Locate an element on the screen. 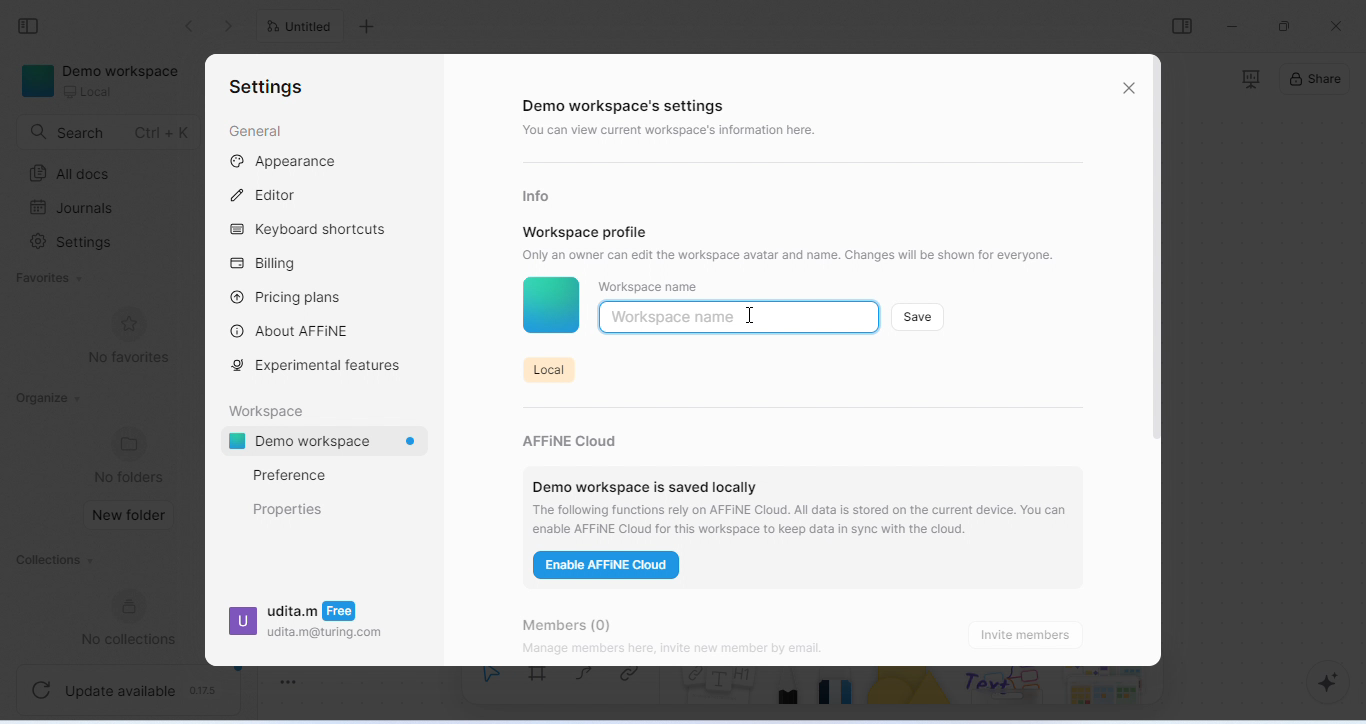 The image size is (1366, 724). open or close side bar is located at coordinates (1182, 26).